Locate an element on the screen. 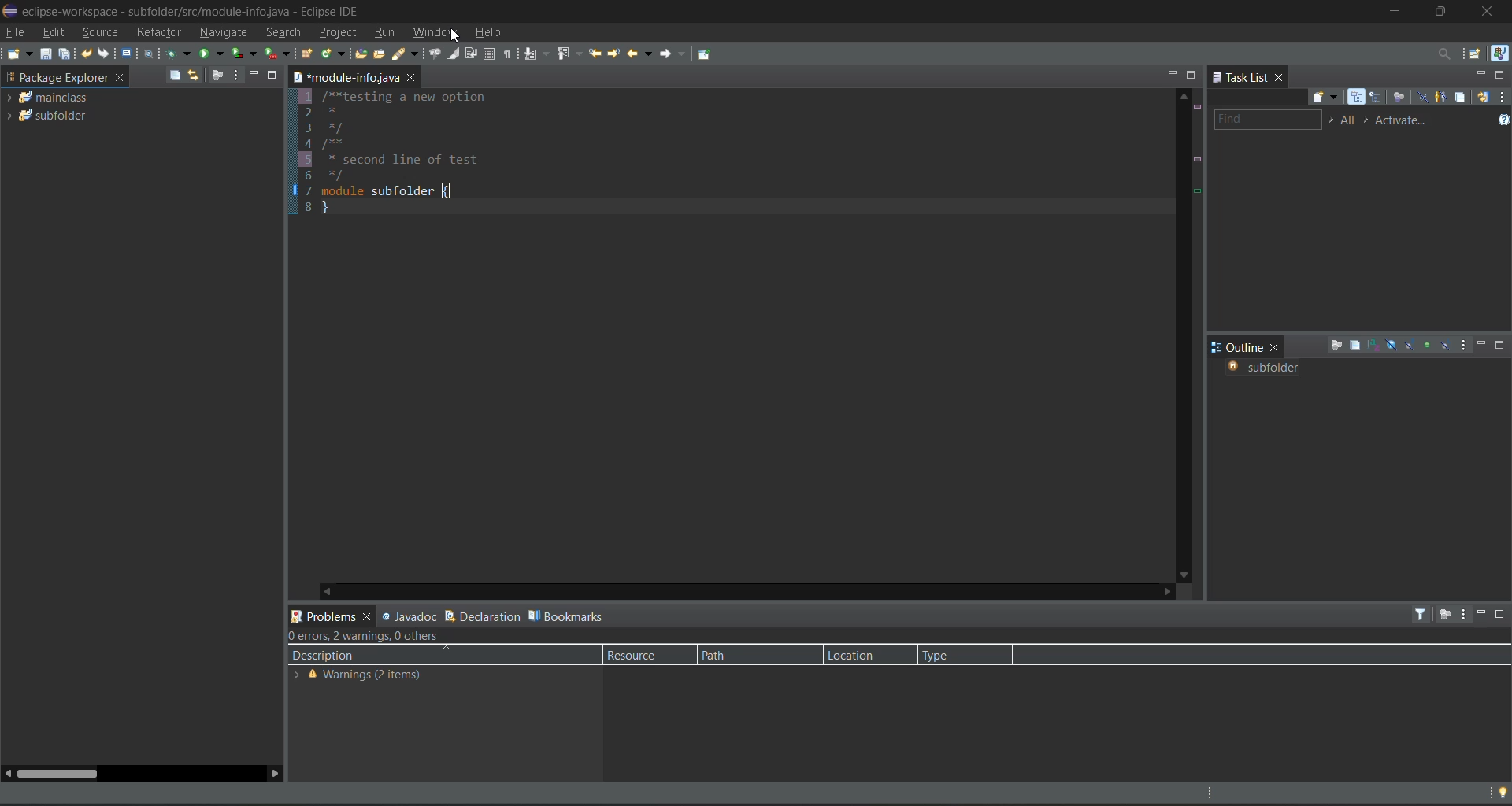 Image resolution: width=1512 pixels, height=806 pixels. access commands and other items is located at coordinates (1444, 54).